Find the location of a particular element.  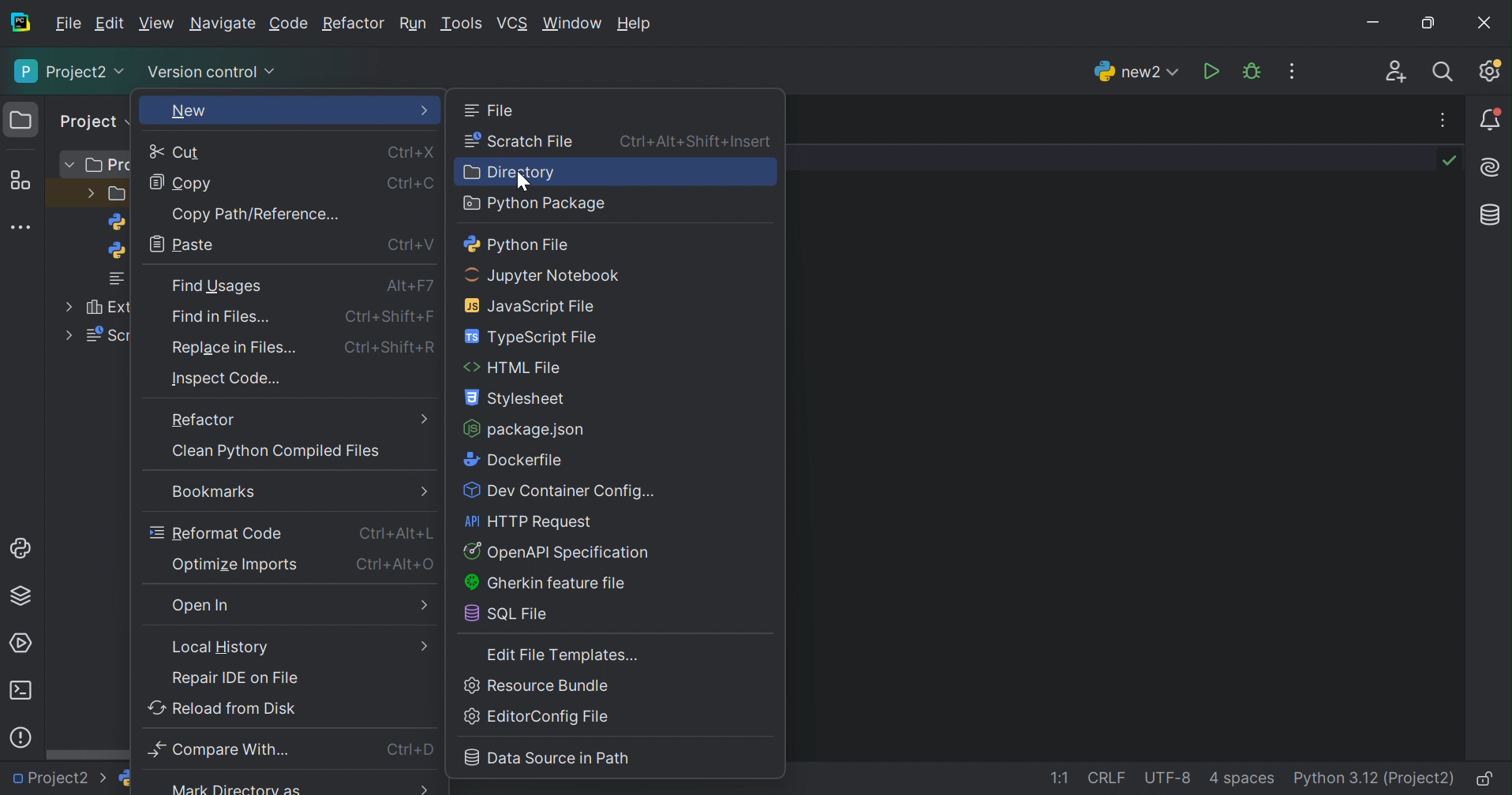

UTF-8 is located at coordinates (1167, 779).